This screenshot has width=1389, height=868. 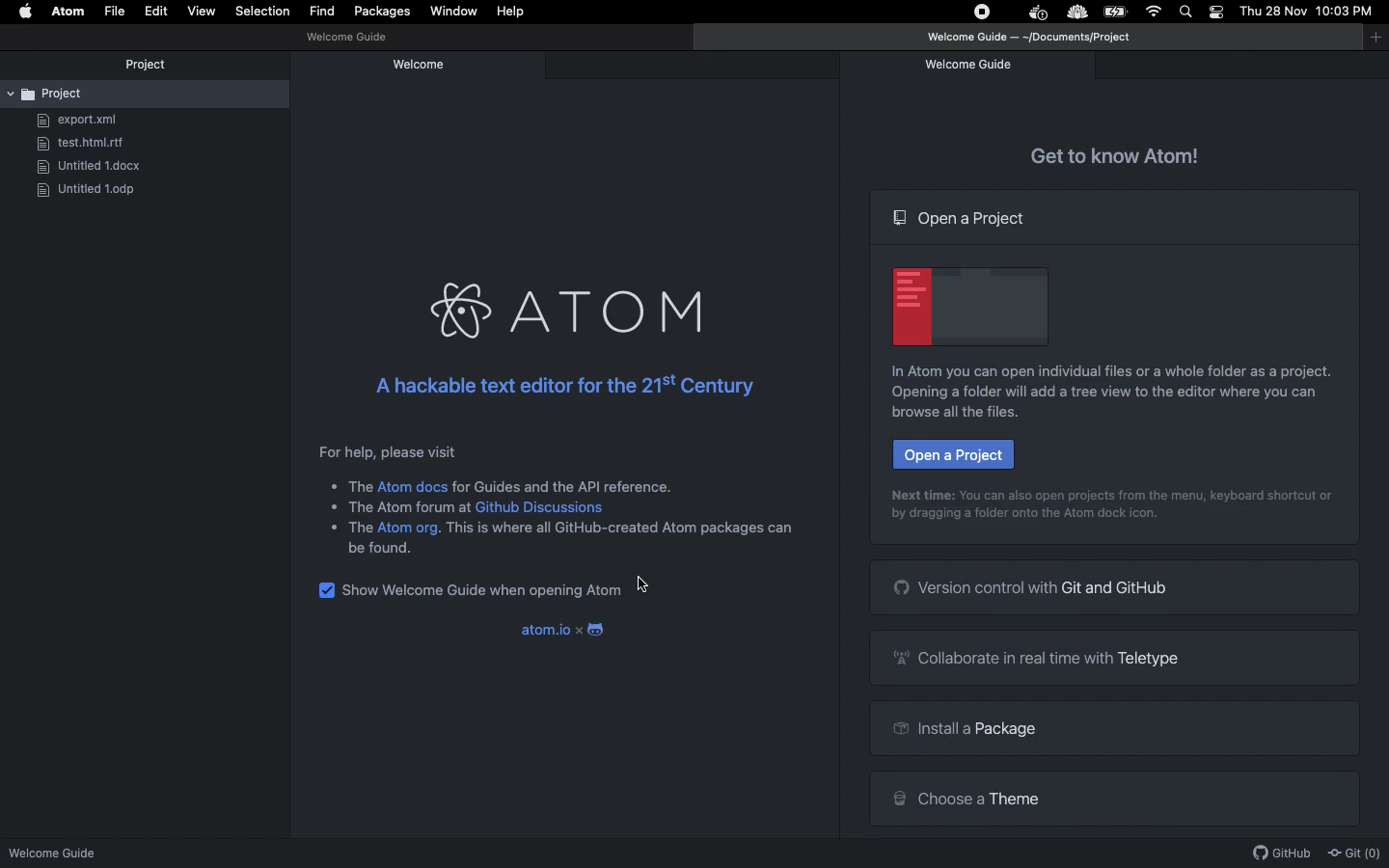 I want to click on Packages, so click(x=382, y=14).